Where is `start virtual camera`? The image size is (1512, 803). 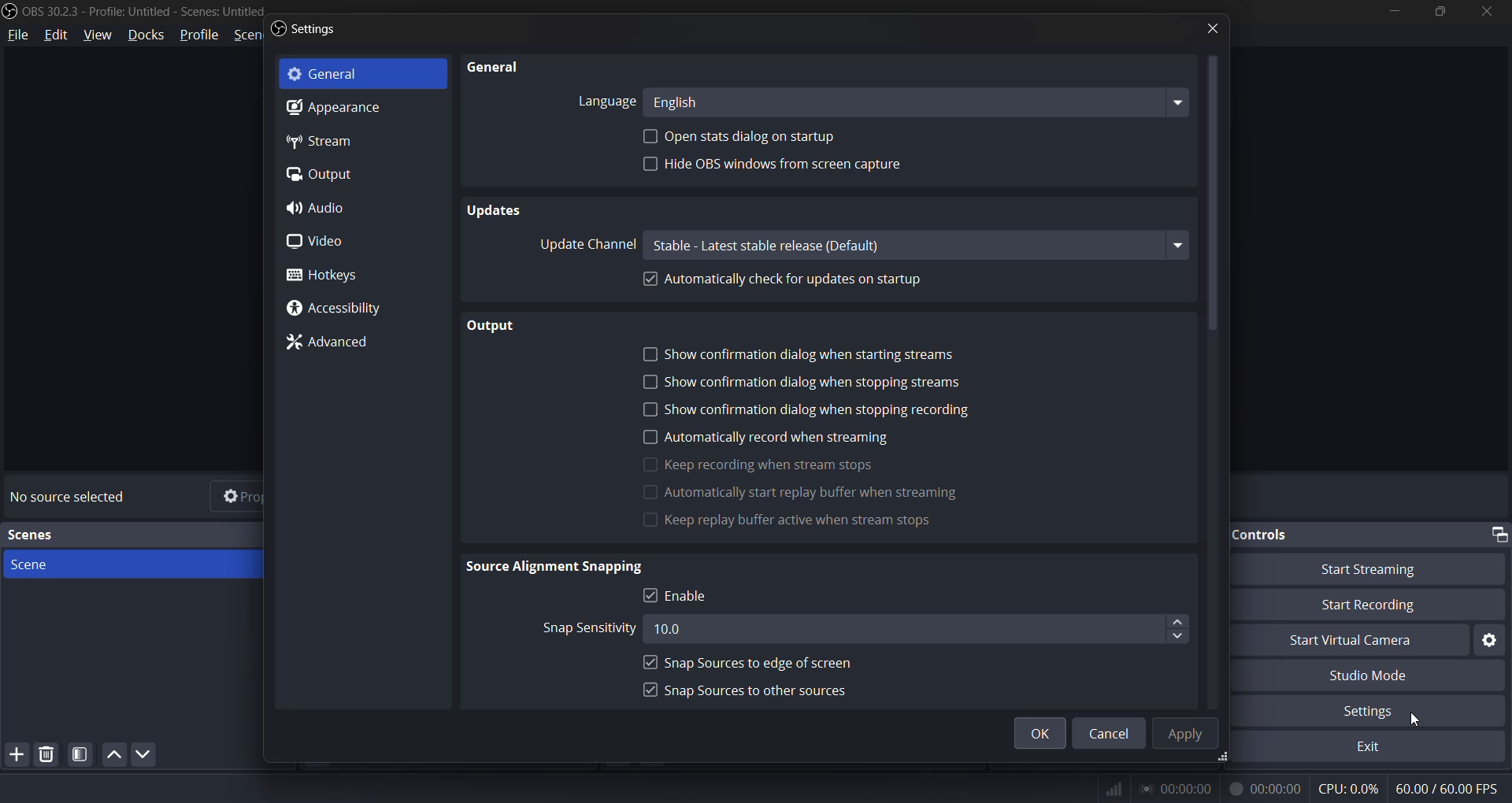
start virtual camera is located at coordinates (1349, 642).